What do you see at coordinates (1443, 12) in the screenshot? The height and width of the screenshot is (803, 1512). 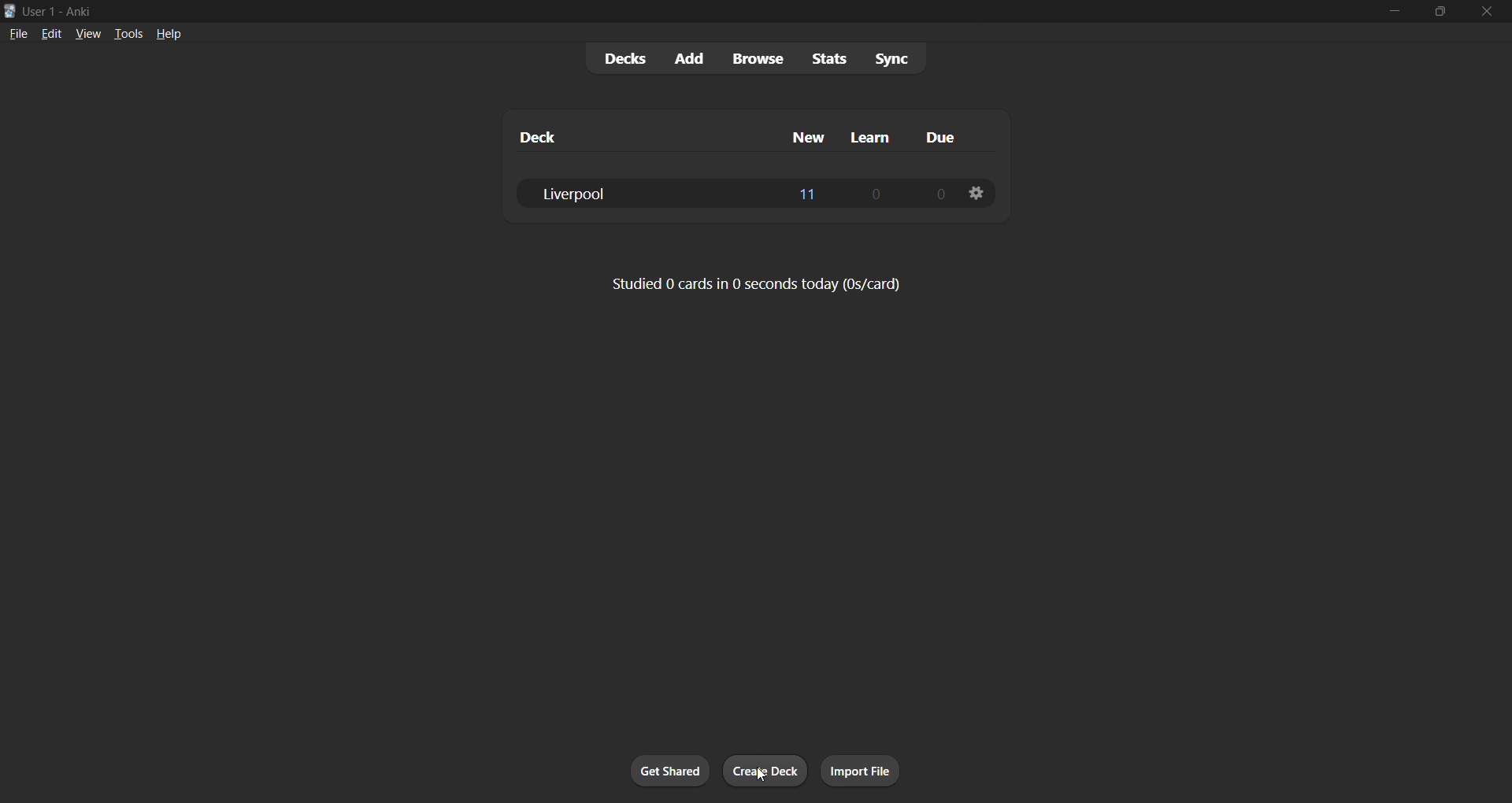 I see `maximize/restore` at bounding box center [1443, 12].